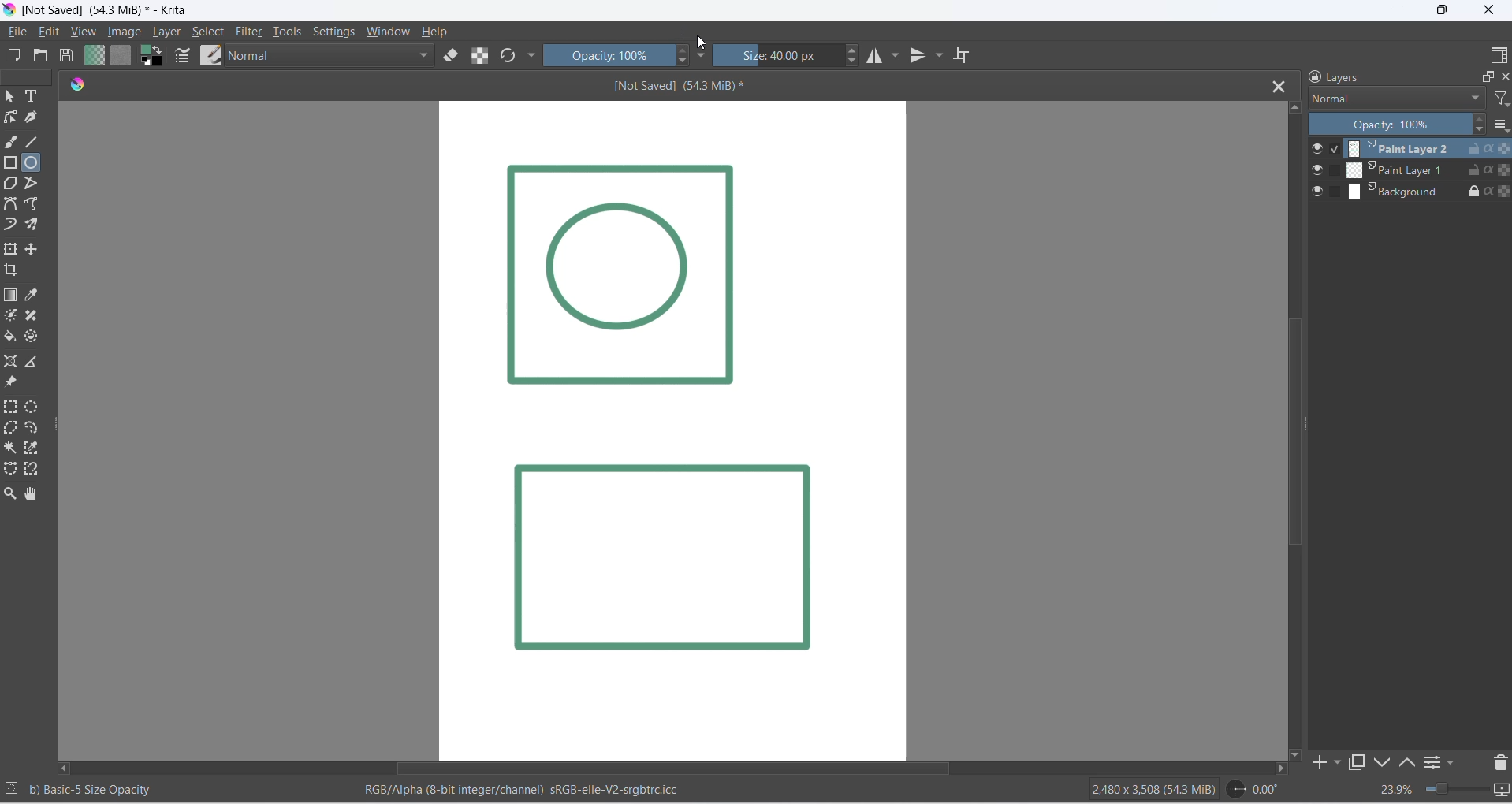 The image size is (1512, 804). Describe the element at coordinates (929, 56) in the screenshot. I see `vertical mirror tool` at that location.